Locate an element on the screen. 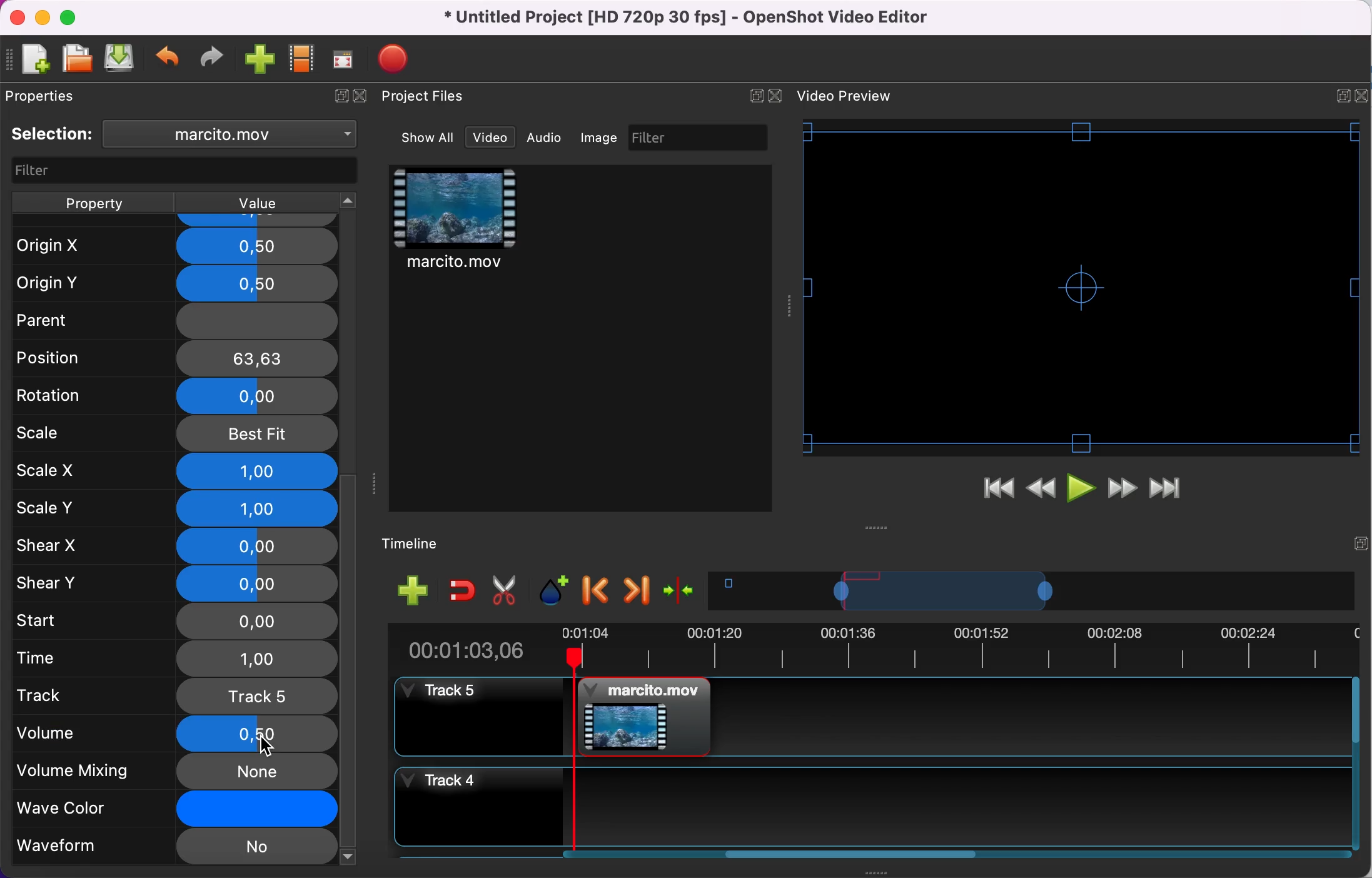 The width and height of the screenshot is (1372, 878). track 4 is located at coordinates (869, 807).